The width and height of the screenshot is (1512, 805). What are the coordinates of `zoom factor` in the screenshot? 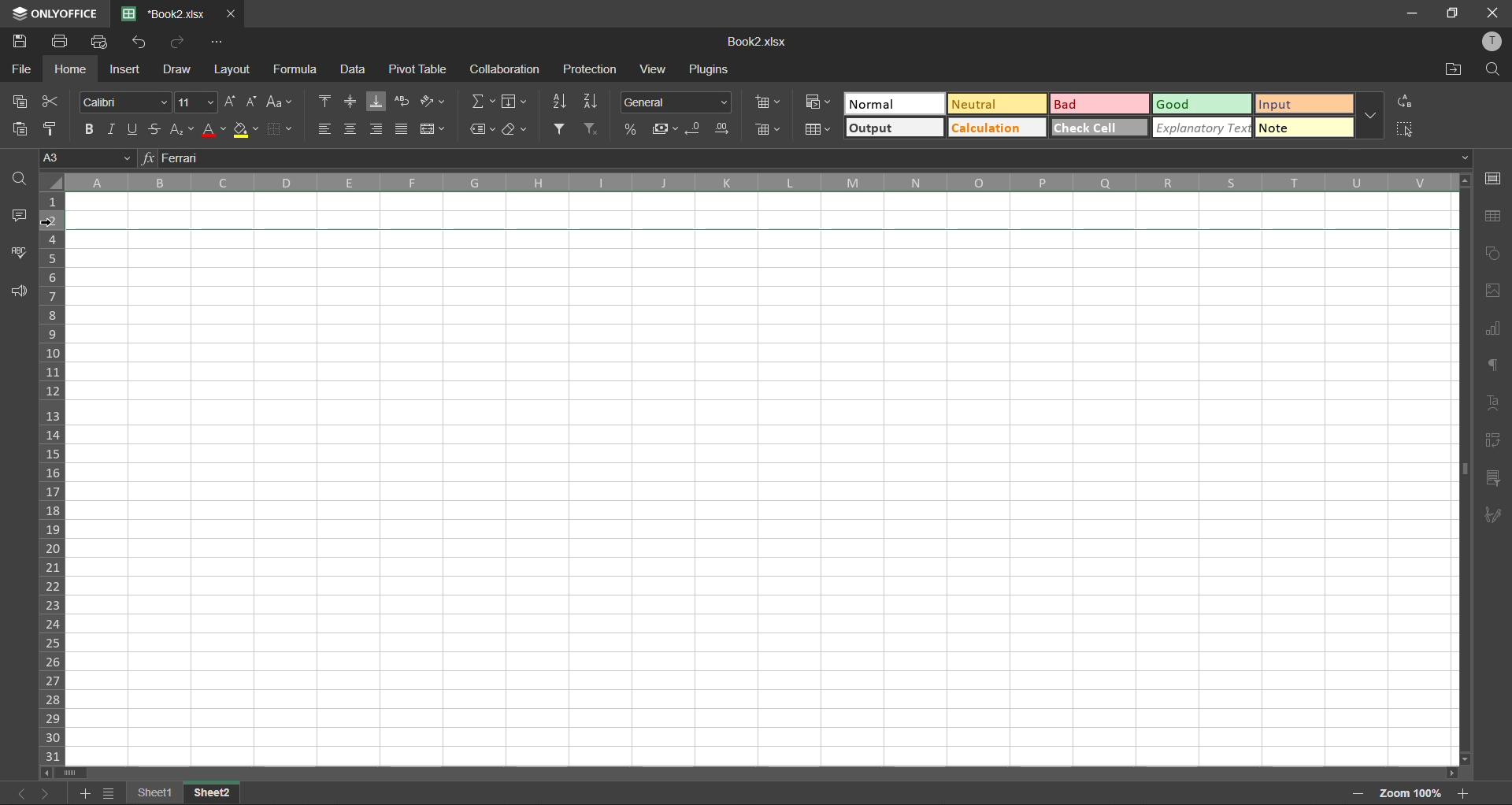 It's located at (1410, 793).